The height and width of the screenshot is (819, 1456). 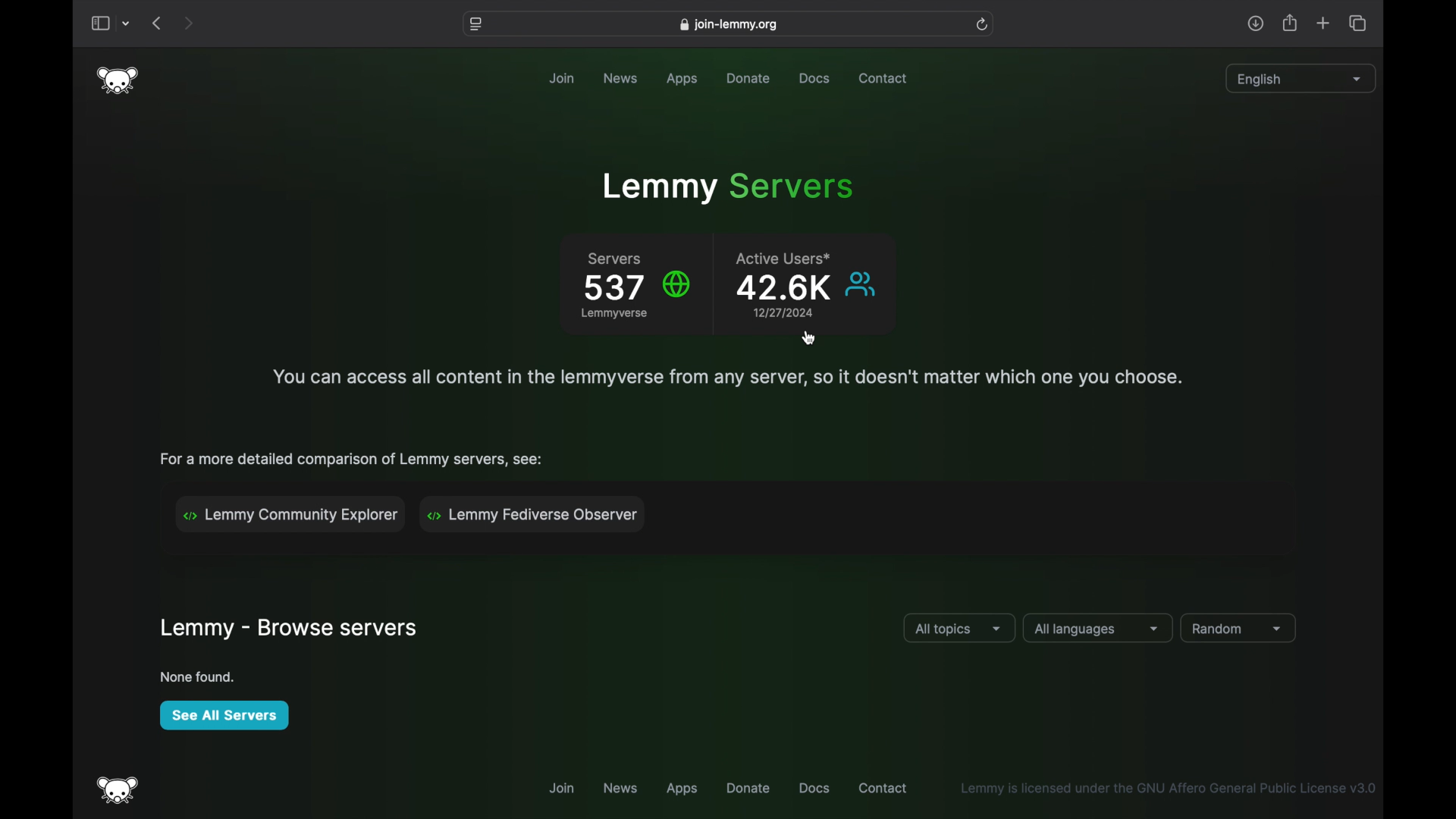 What do you see at coordinates (1298, 80) in the screenshot?
I see `english` at bounding box center [1298, 80].